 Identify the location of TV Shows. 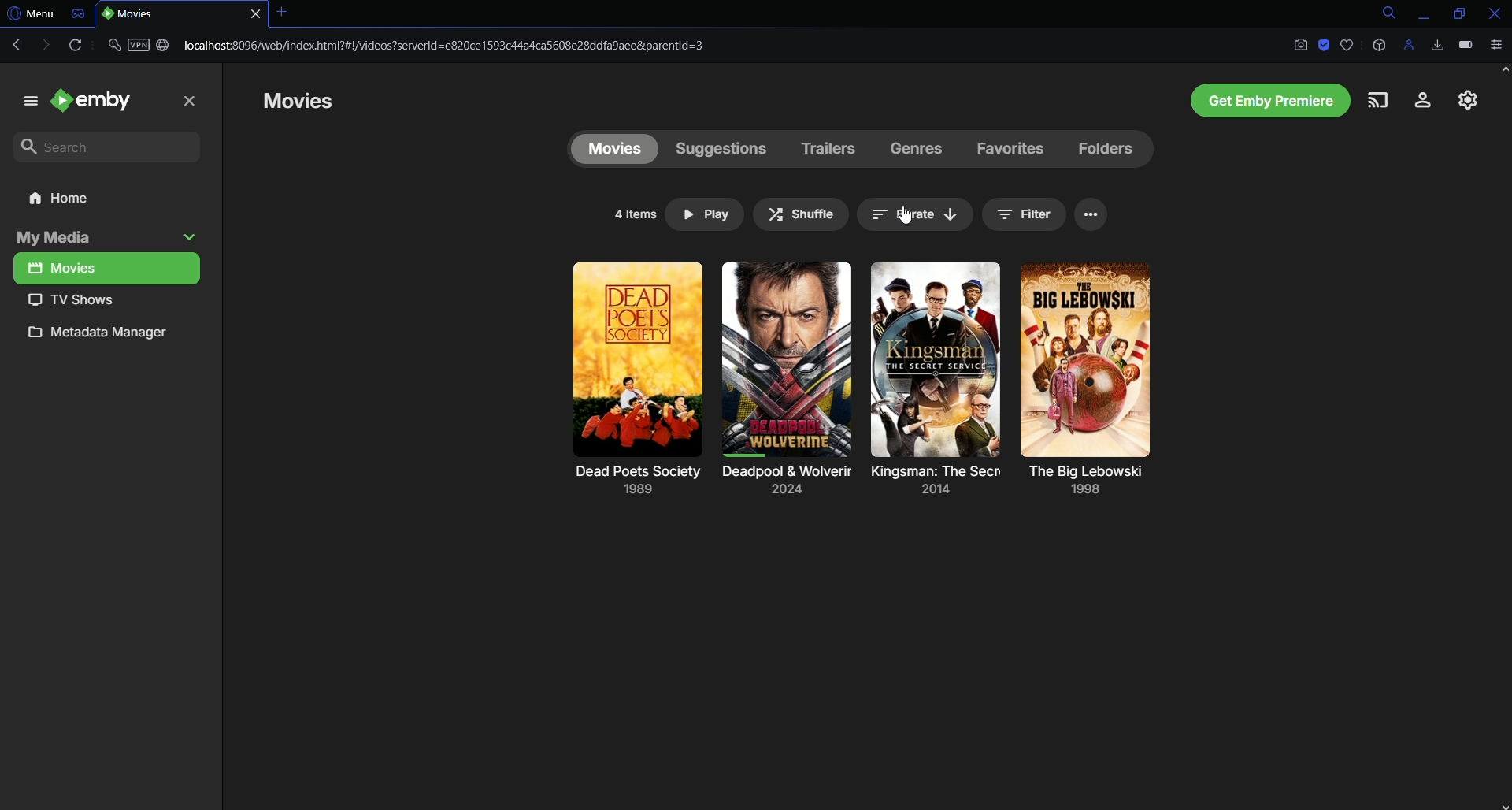
(106, 299).